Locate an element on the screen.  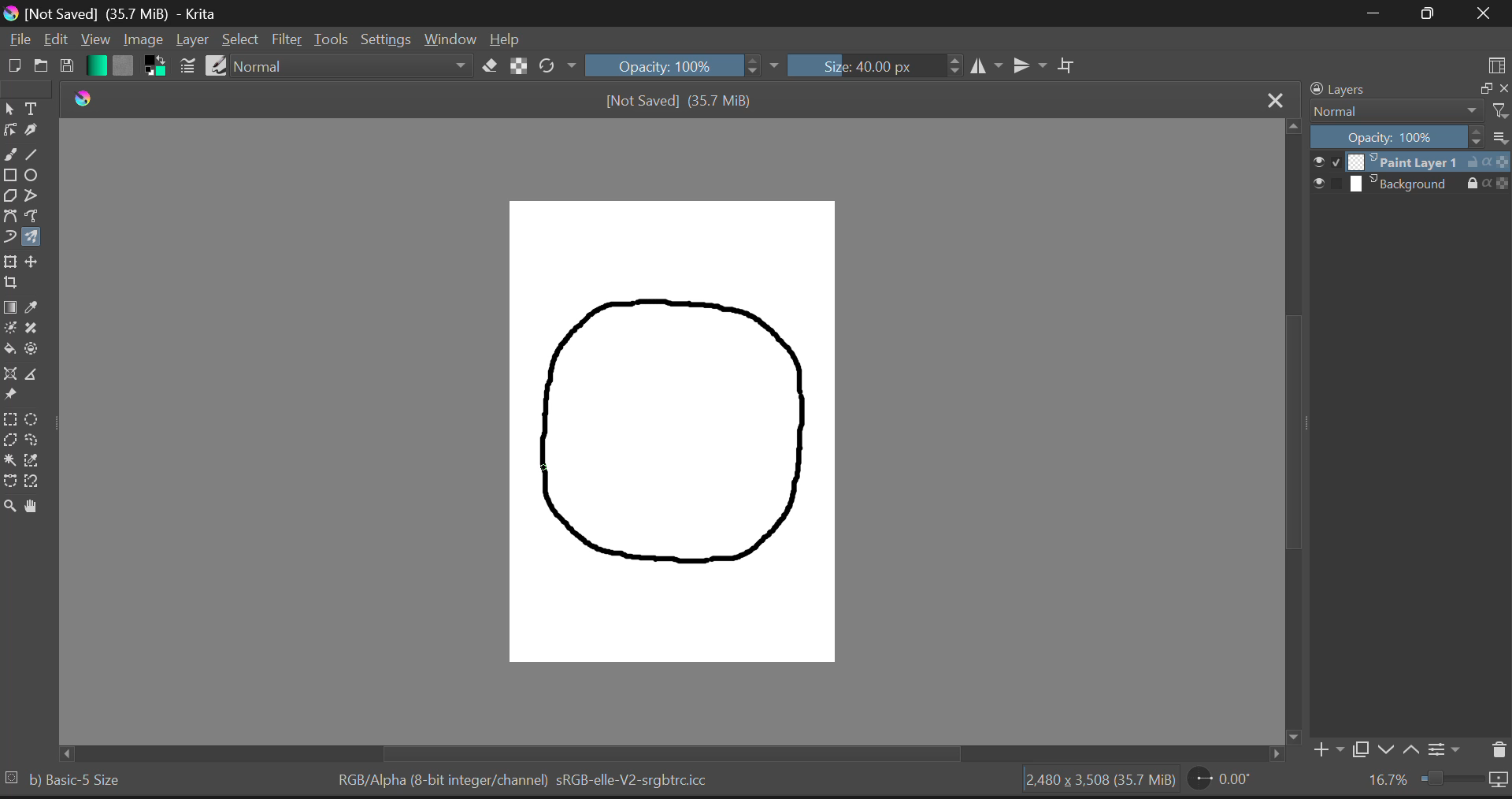
Freehand Selection is located at coordinates (38, 440).